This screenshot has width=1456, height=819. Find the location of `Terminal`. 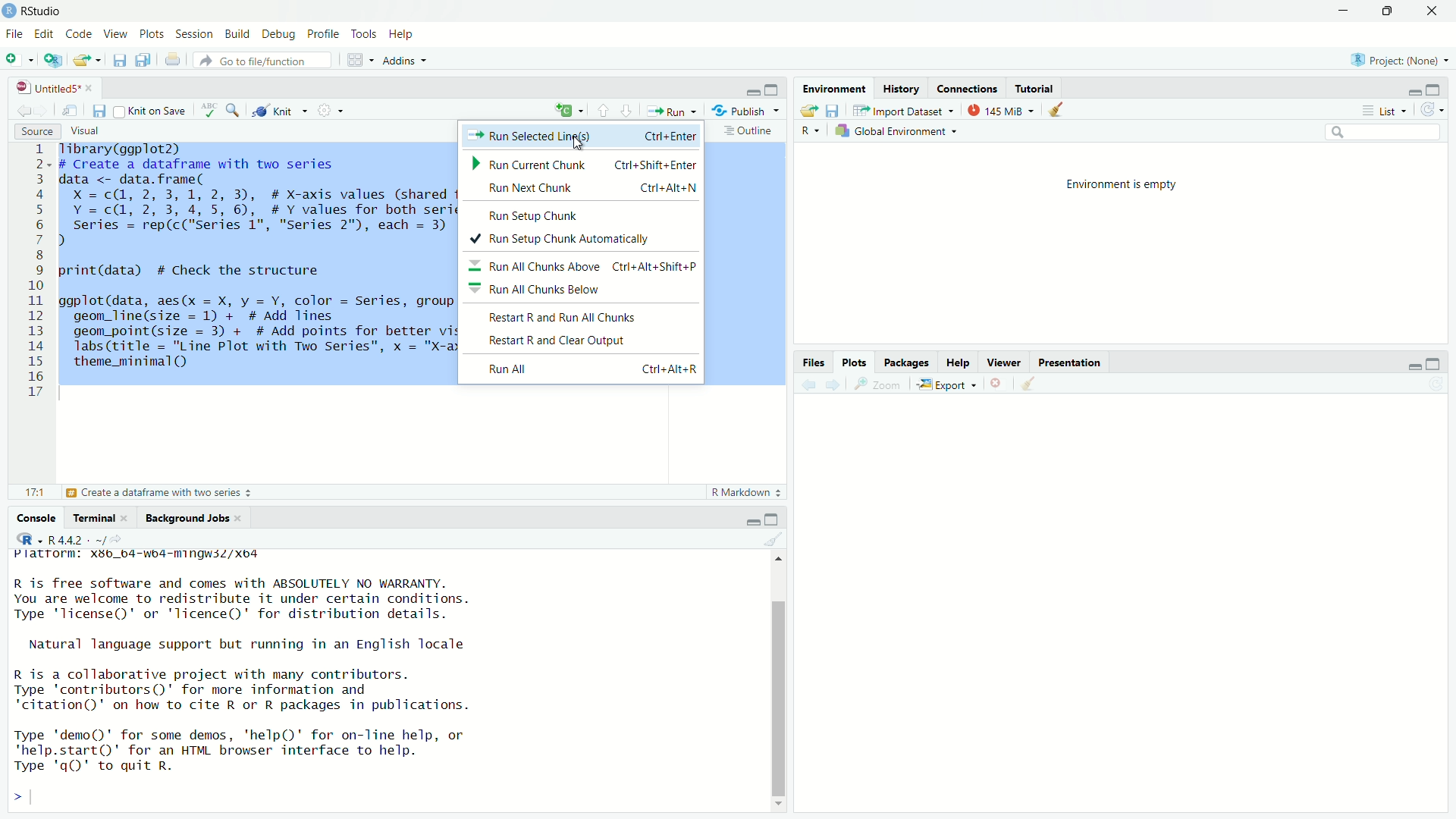

Terminal is located at coordinates (99, 517).